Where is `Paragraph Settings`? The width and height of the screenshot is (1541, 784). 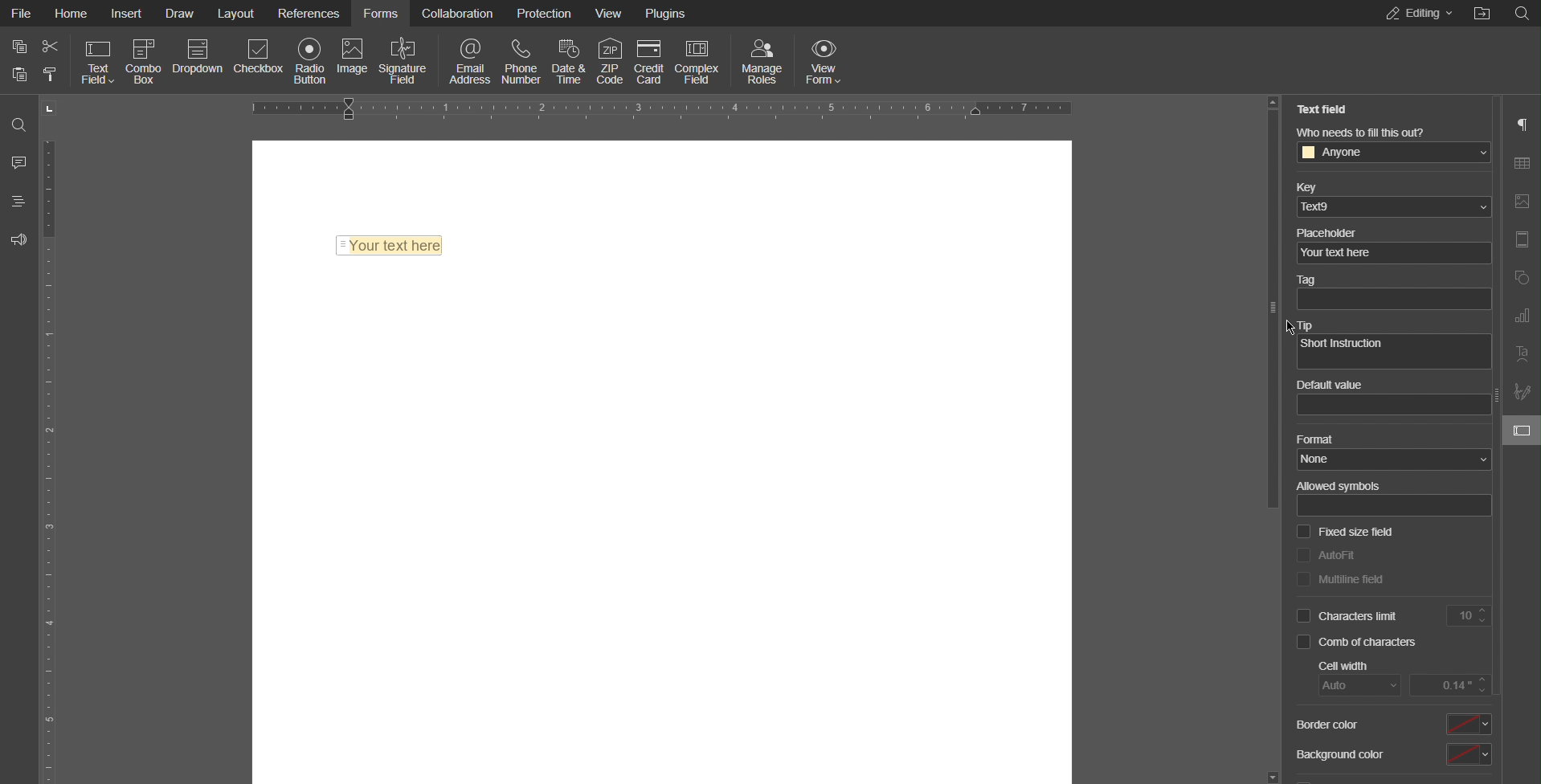
Paragraph Settings is located at coordinates (1521, 123).